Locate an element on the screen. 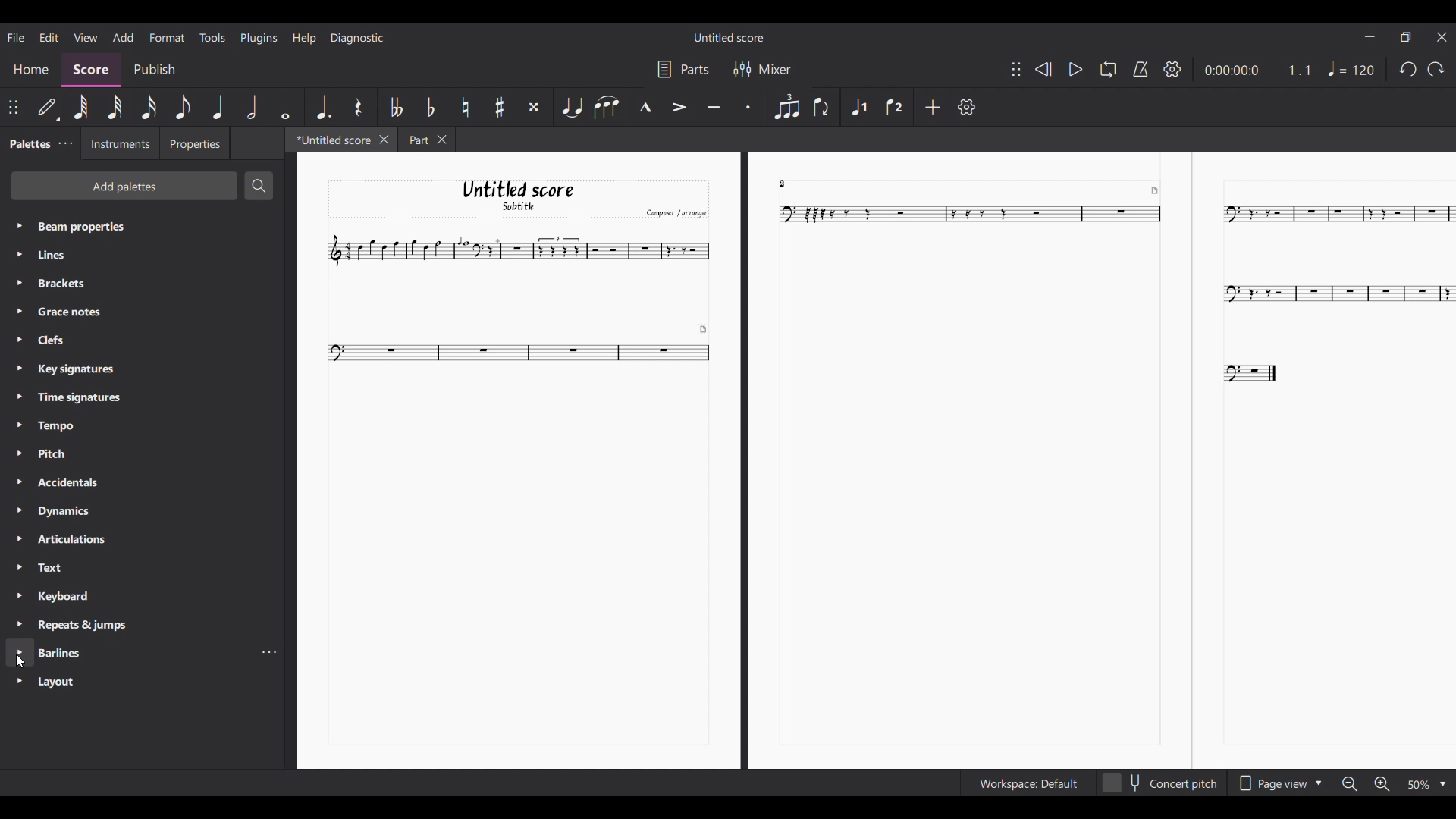 Image resolution: width=1456 pixels, height=819 pixels. Settings is located at coordinates (1172, 69).